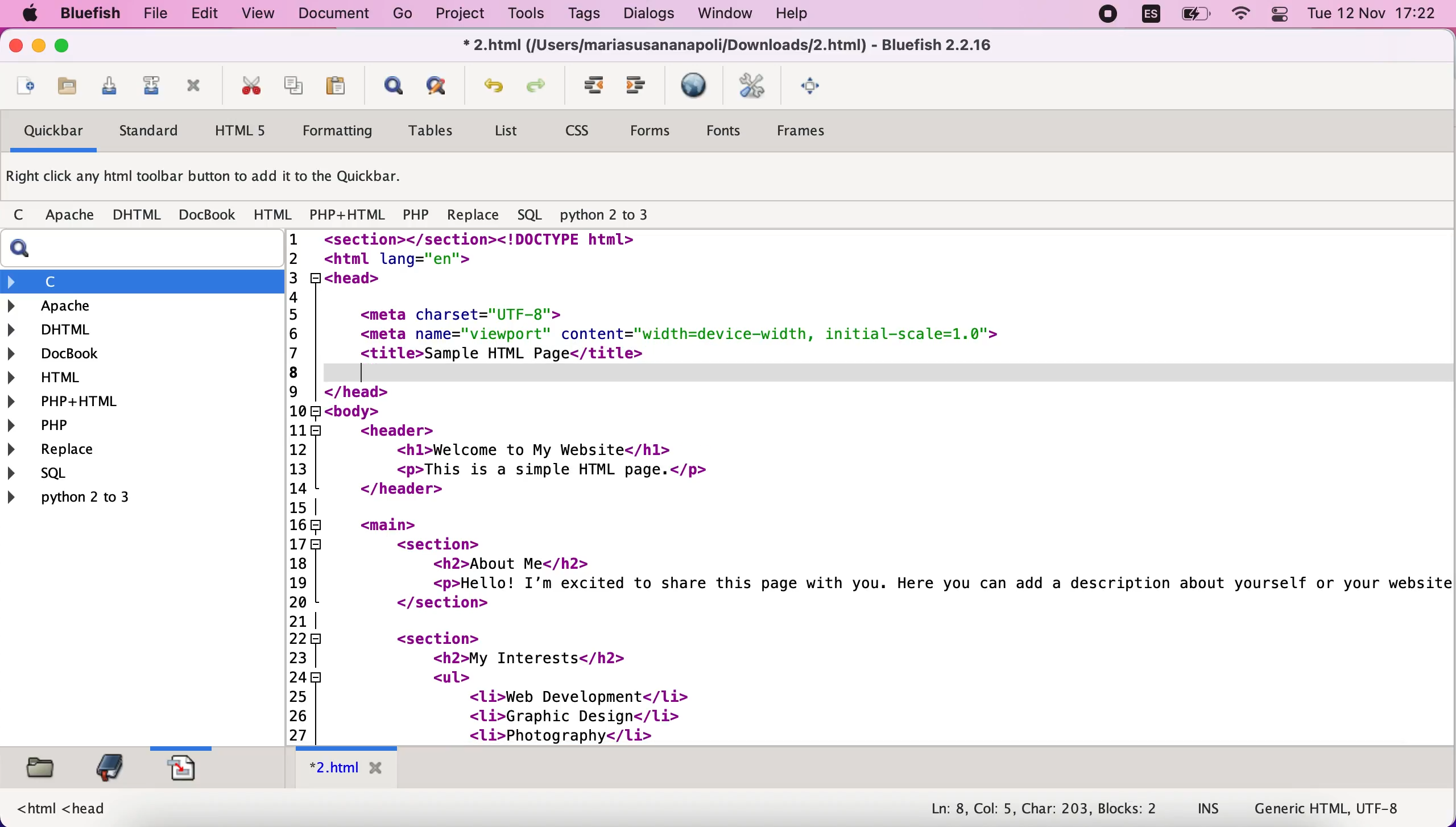  Describe the element at coordinates (15, 46) in the screenshot. I see `close` at that location.